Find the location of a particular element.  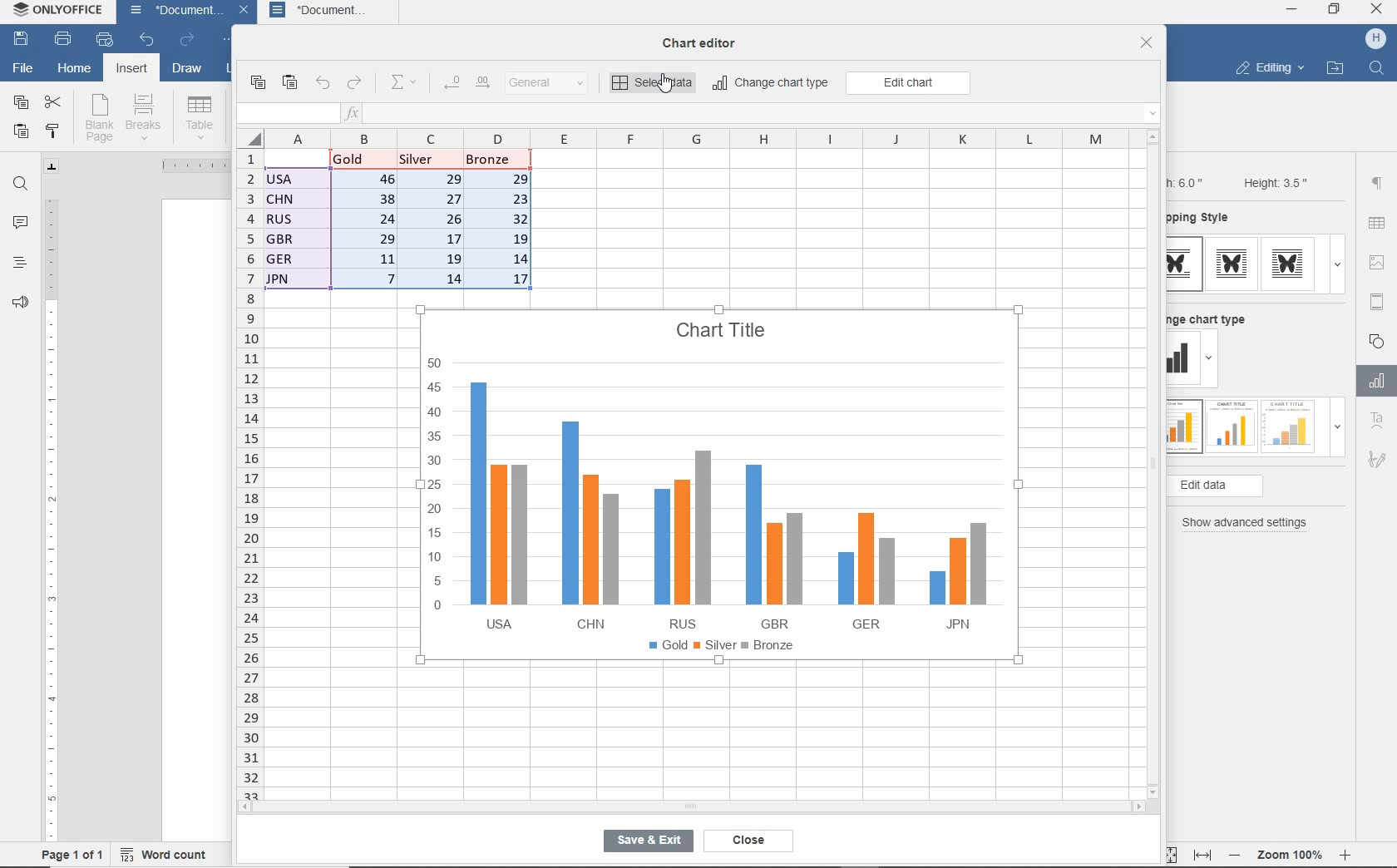

close is located at coordinates (246, 12).